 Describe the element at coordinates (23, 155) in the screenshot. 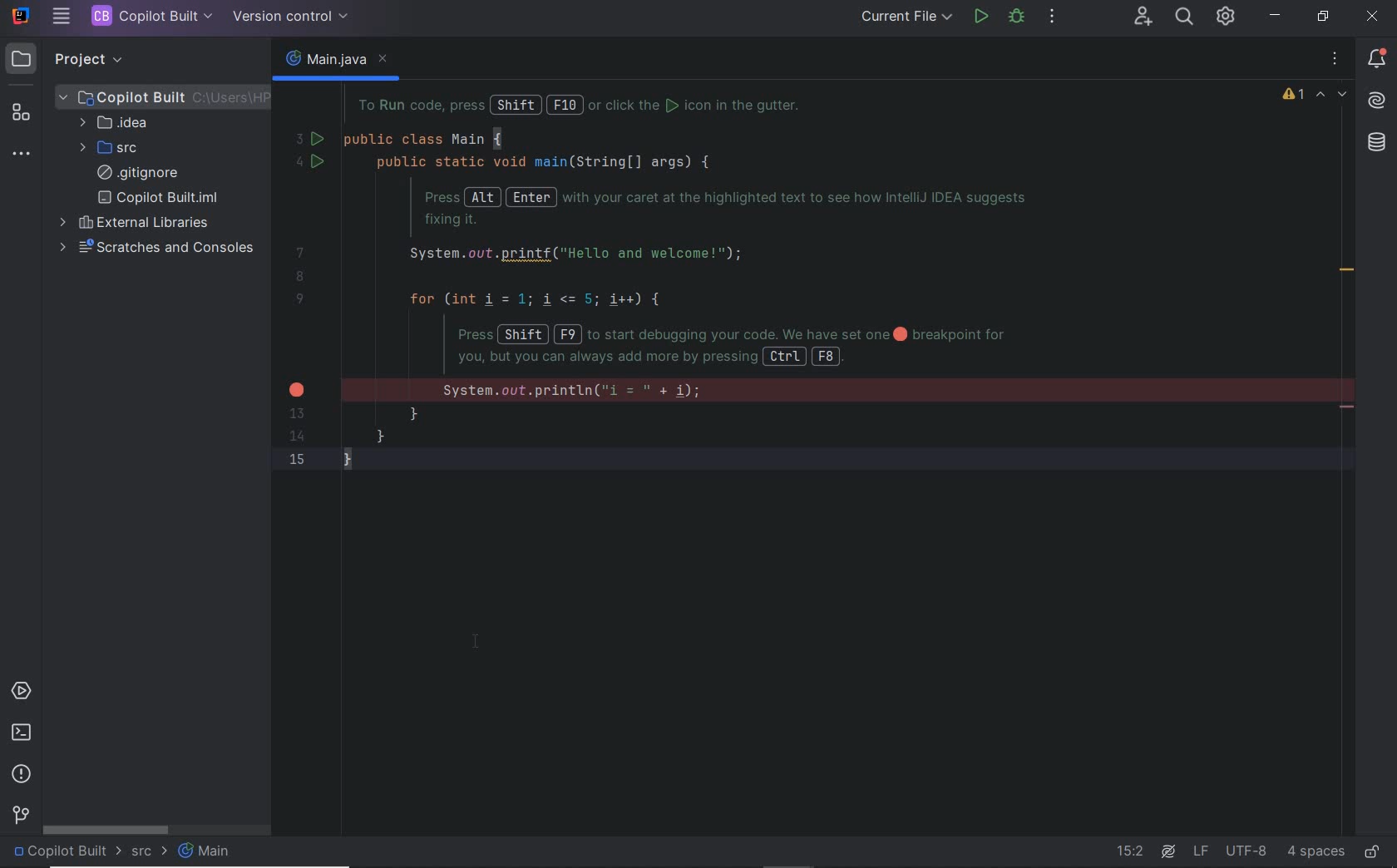

I see `more tool windows` at that location.